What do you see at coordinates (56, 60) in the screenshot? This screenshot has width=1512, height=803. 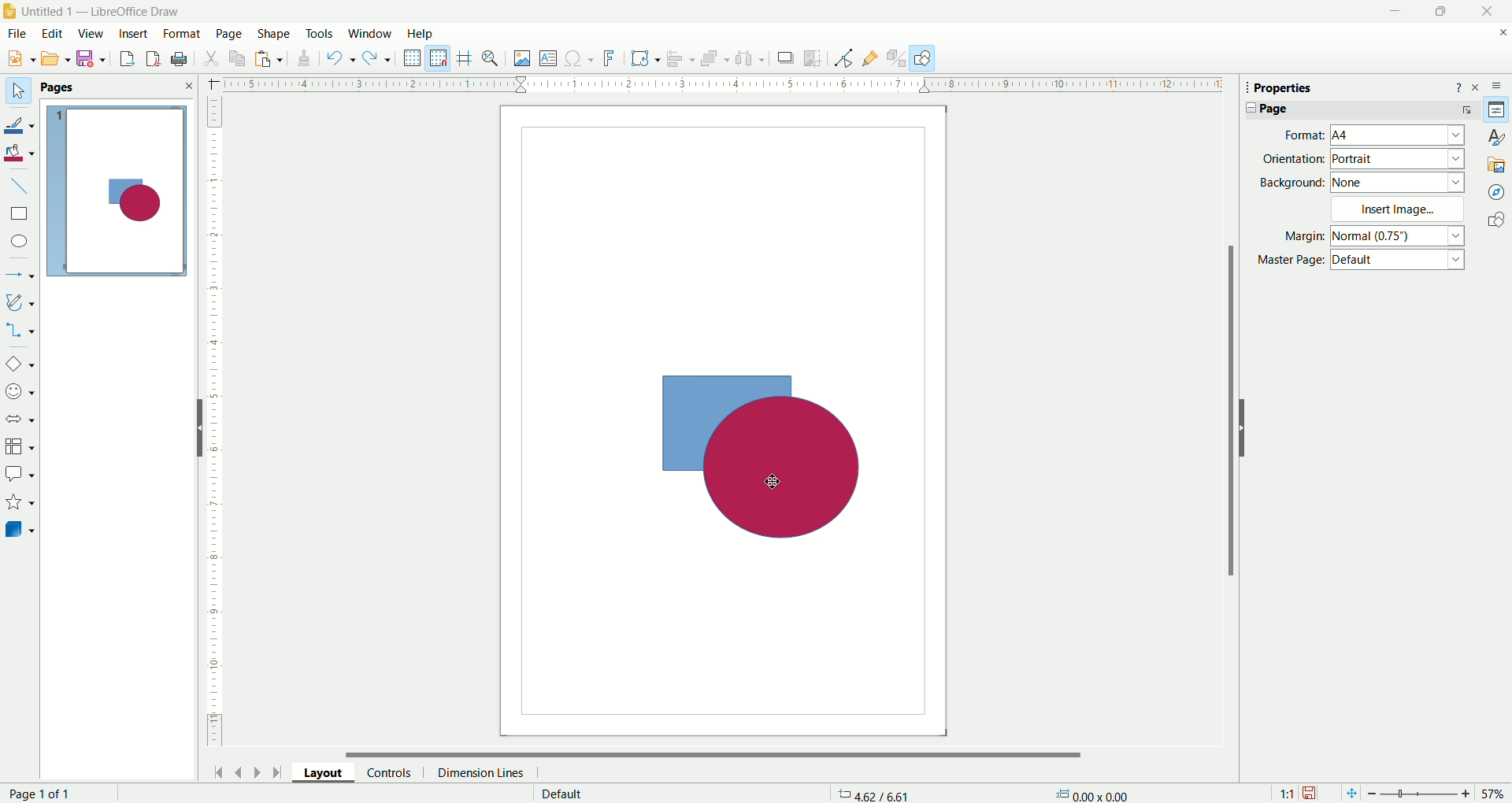 I see `open` at bounding box center [56, 60].